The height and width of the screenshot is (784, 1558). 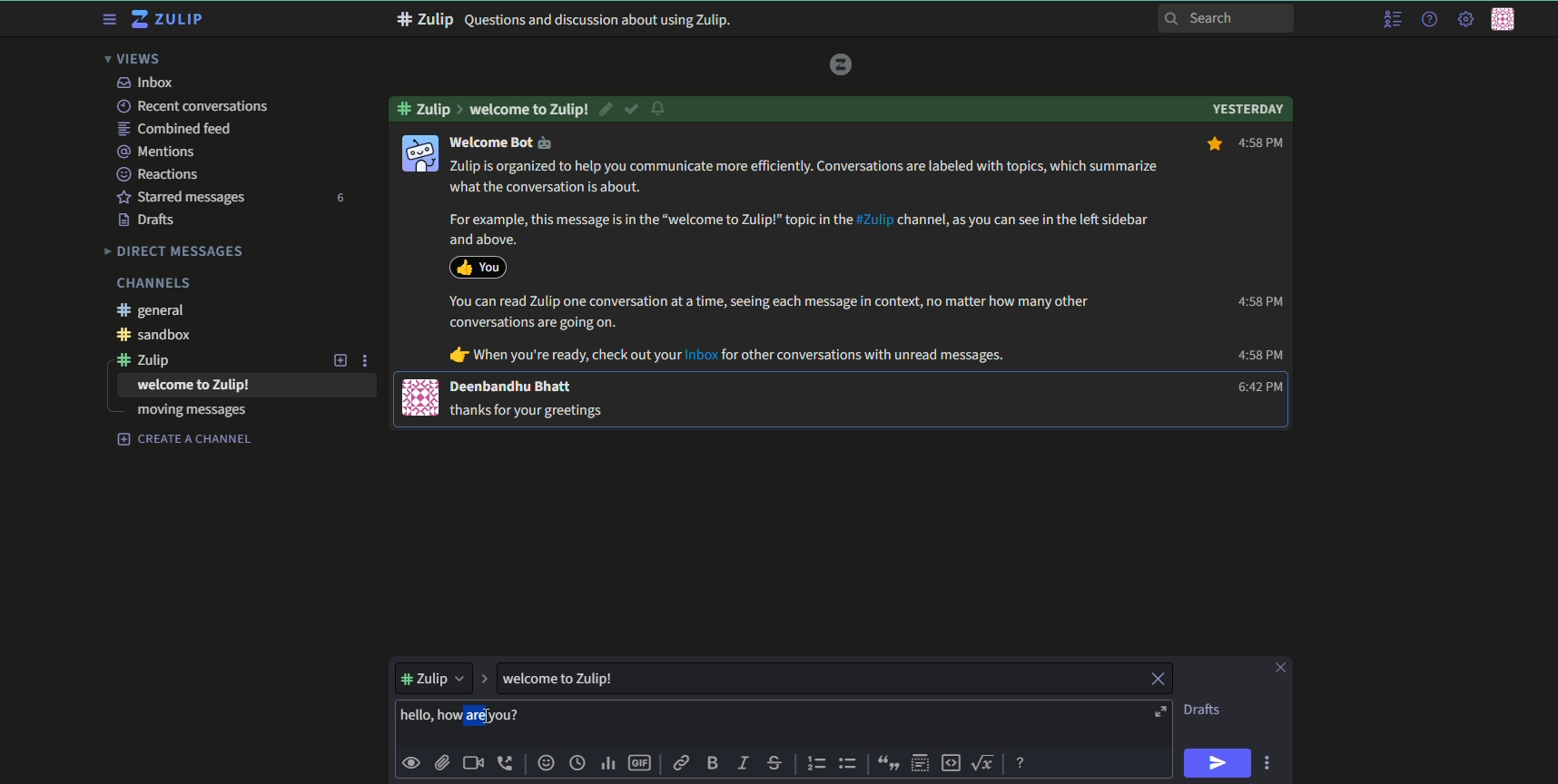 What do you see at coordinates (1022, 760) in the screenshot?
I see `message formatting` at bounding box center [1022, 760].